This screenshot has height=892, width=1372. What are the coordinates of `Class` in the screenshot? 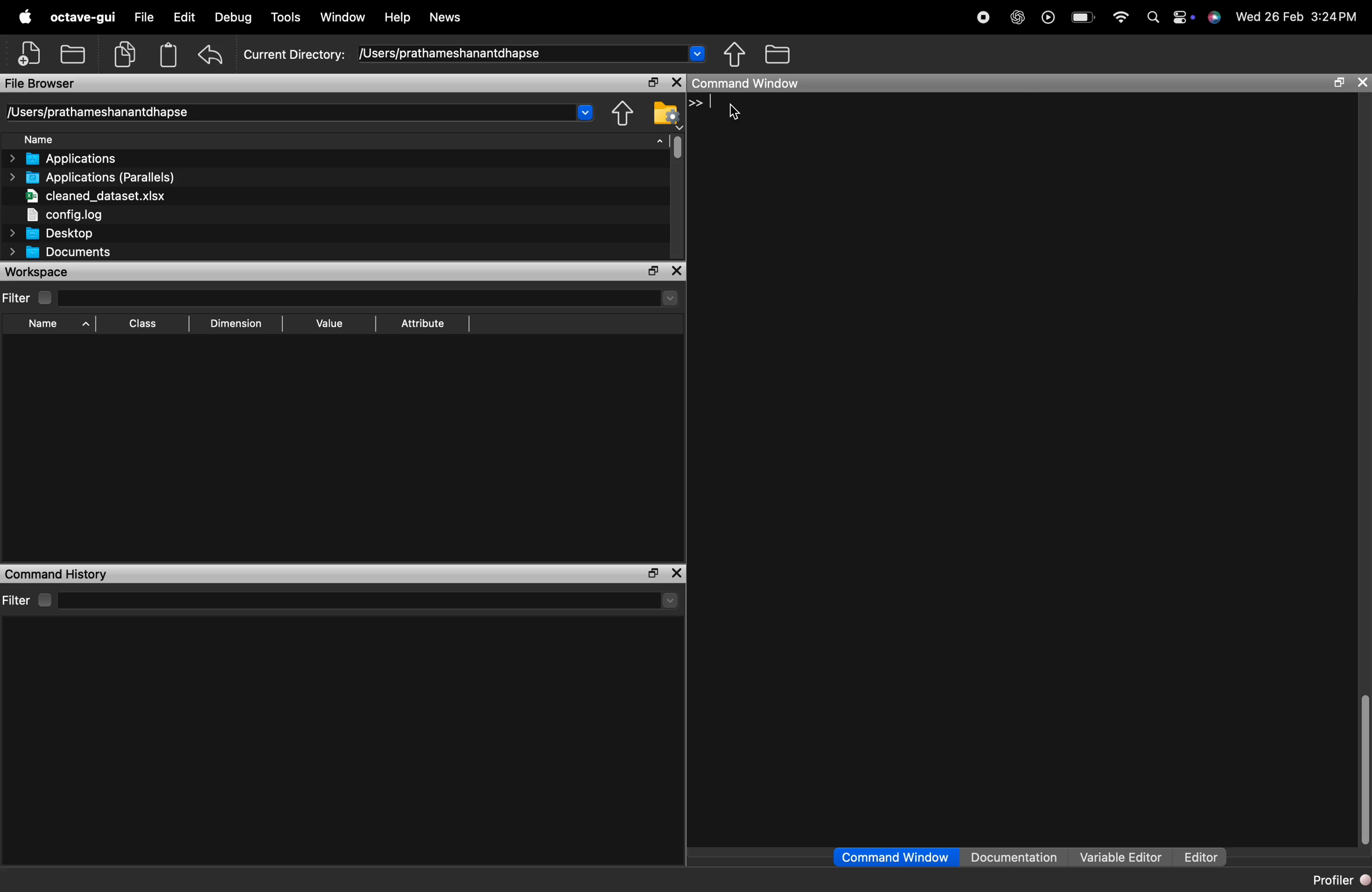 It's located at (140, 325).